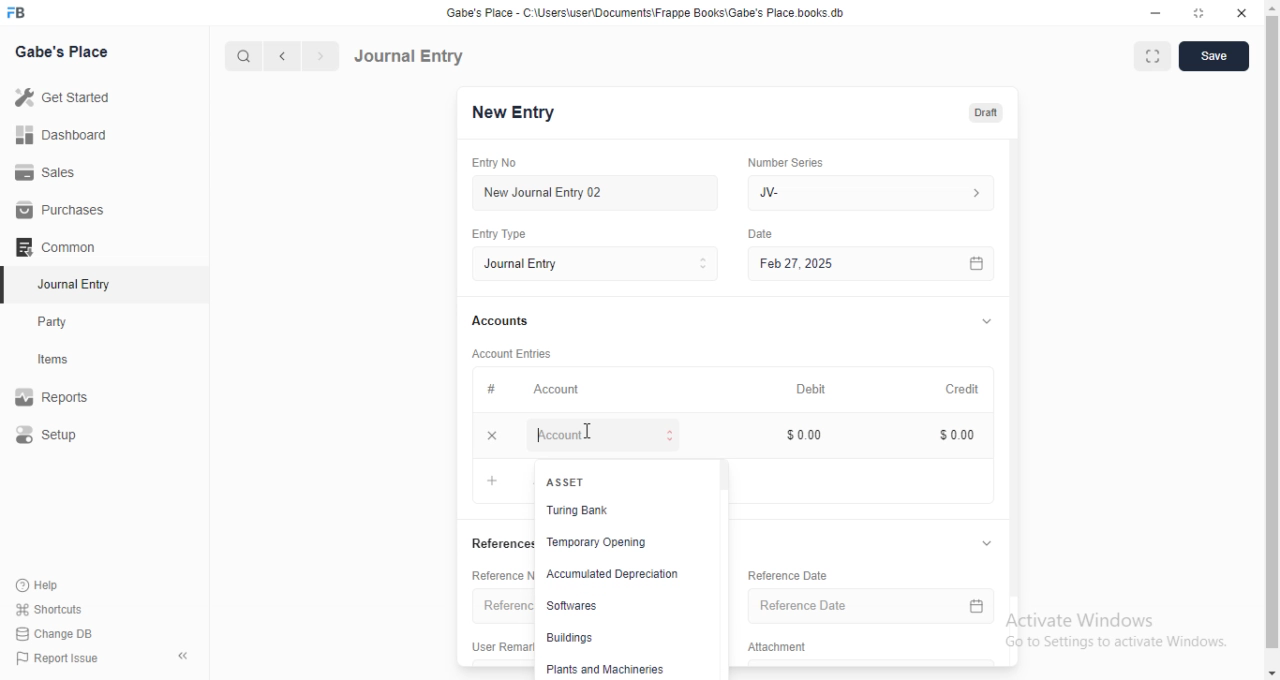 This screenshot has width=1280, height=680. I want to click on Add, so click(499, 435).